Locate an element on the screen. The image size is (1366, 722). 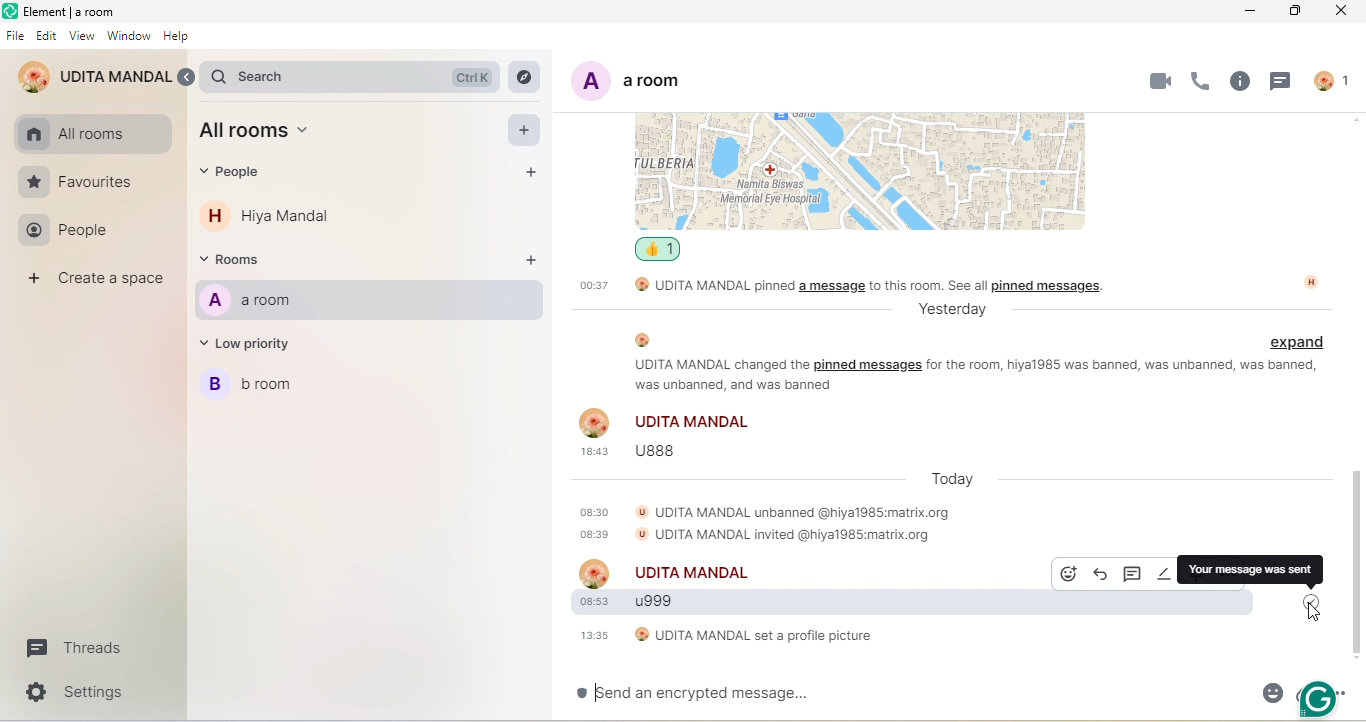
Search ctrl k is located at coordinates (349, 75).